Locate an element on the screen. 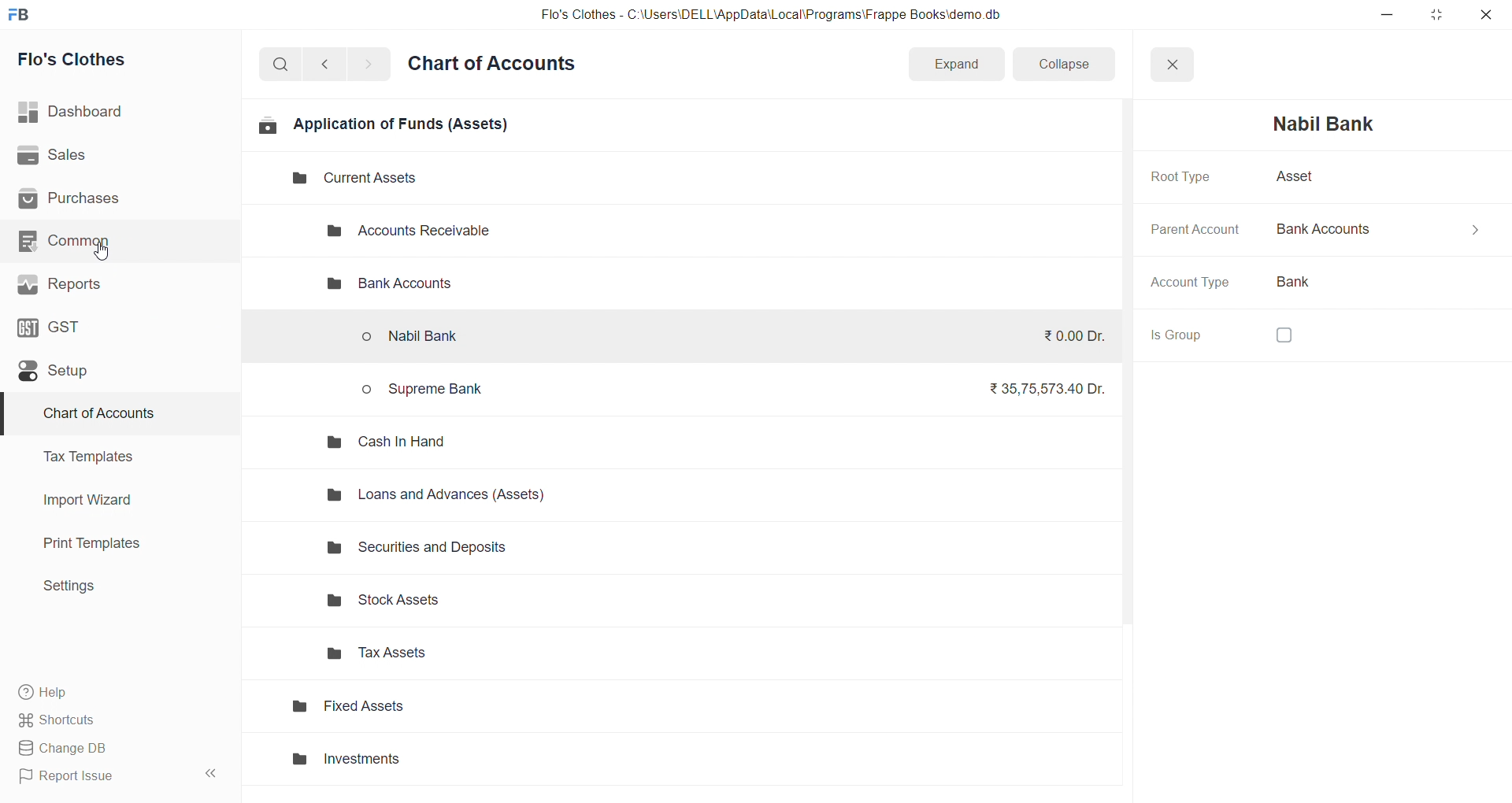 Image resolution: width=1512 pixels, height=803 pixels.  ₹ 35,75,573.40 Dr. is located at coordinates (1041, 386).